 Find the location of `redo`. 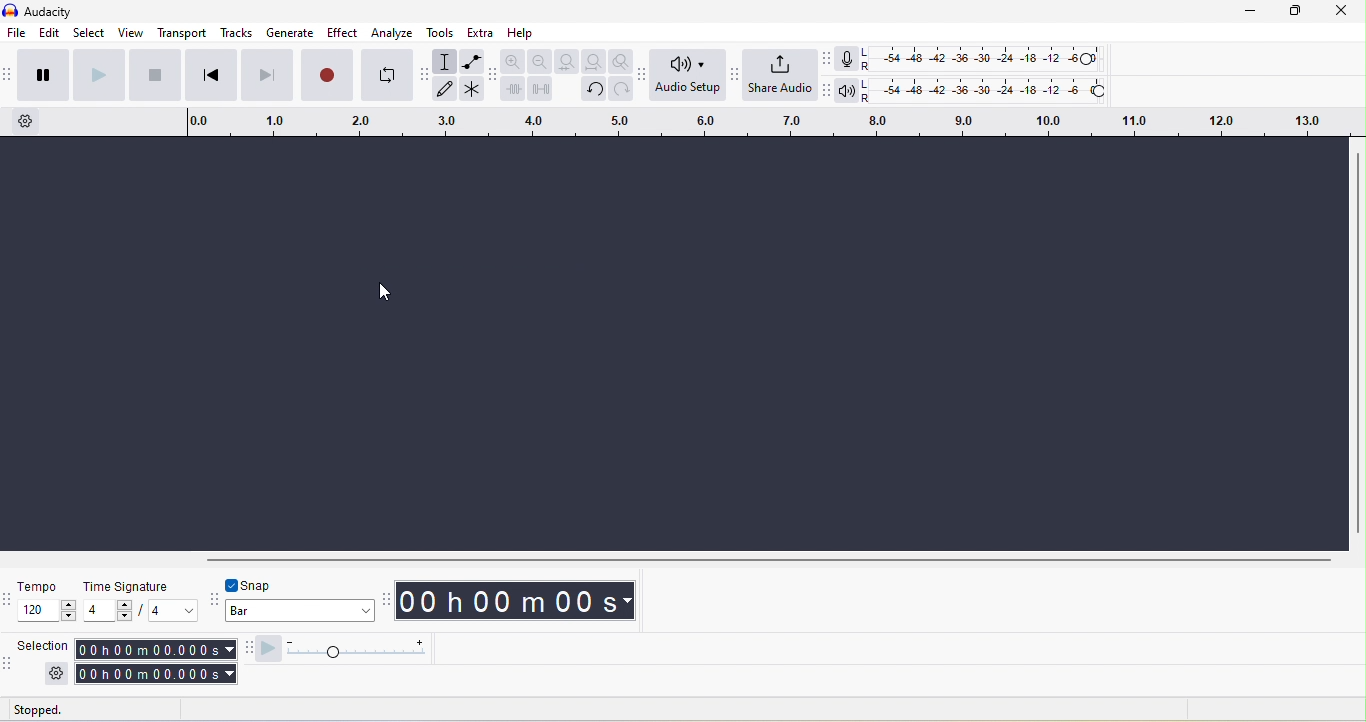

redo is located at coordinates (621, 89).